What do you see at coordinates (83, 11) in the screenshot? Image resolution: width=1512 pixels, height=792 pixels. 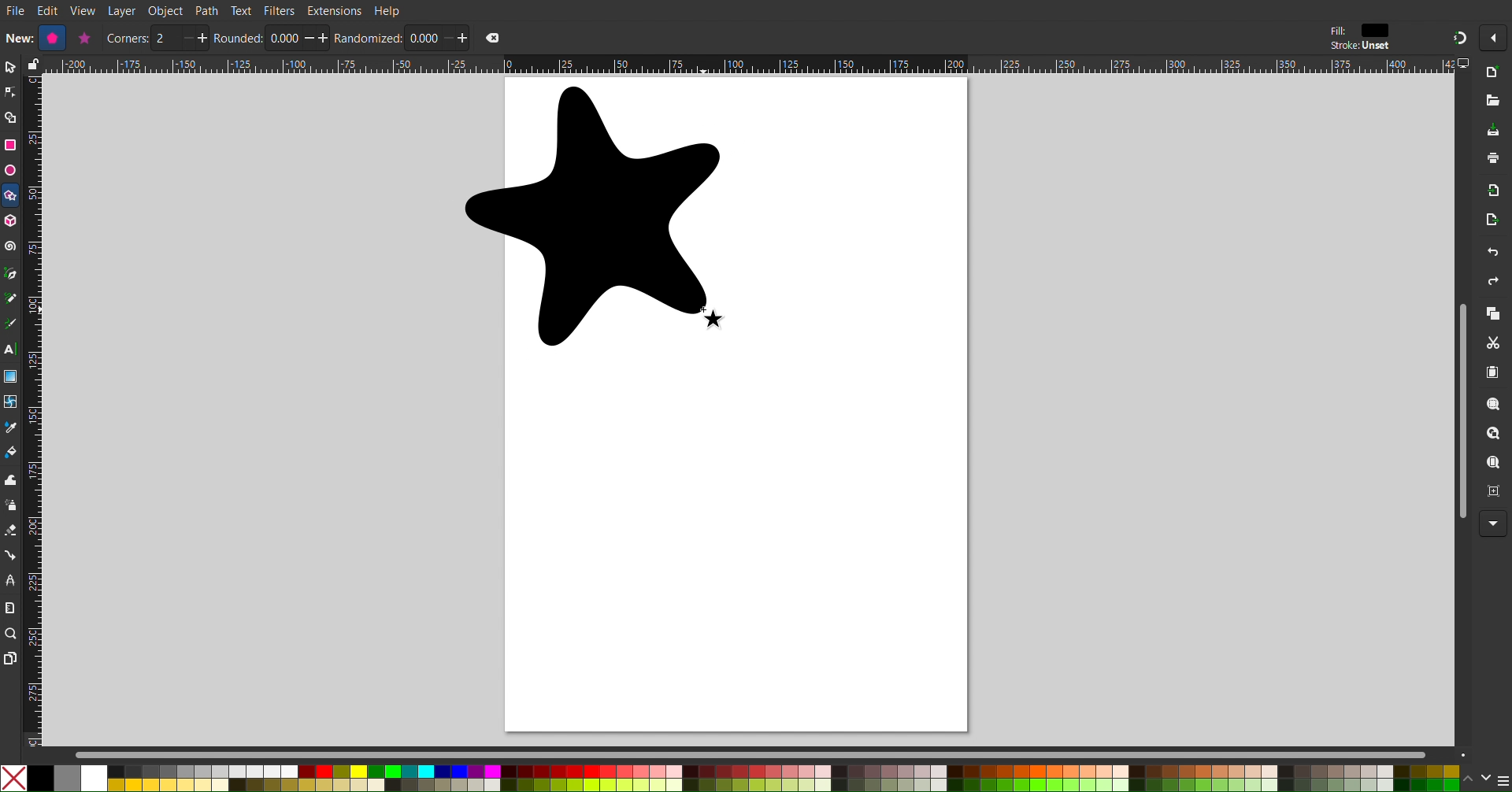 I see `View` at bounding box center [83, 11].